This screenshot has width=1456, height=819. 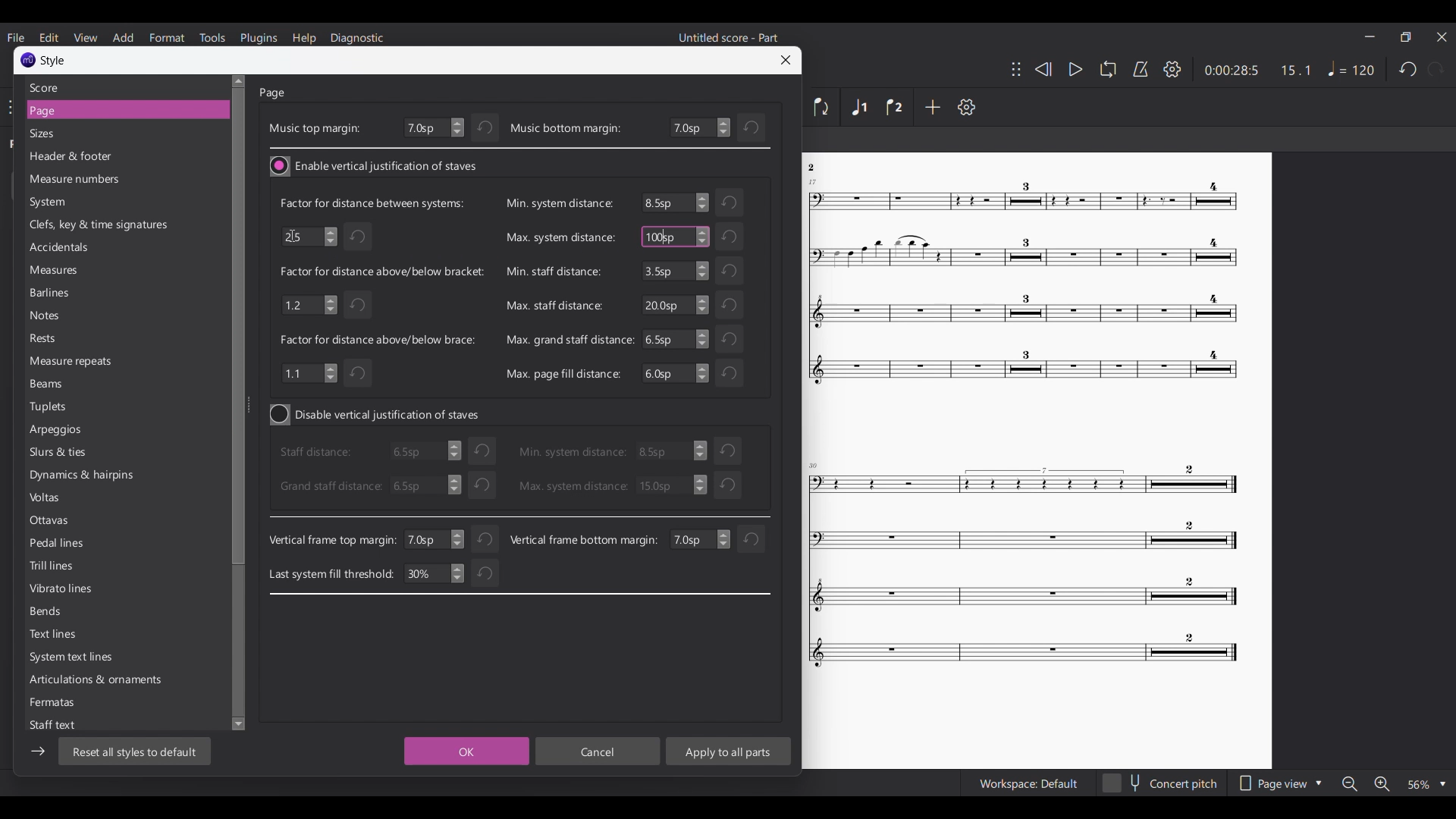 I want to click on OK, so click(x=463, y=752).